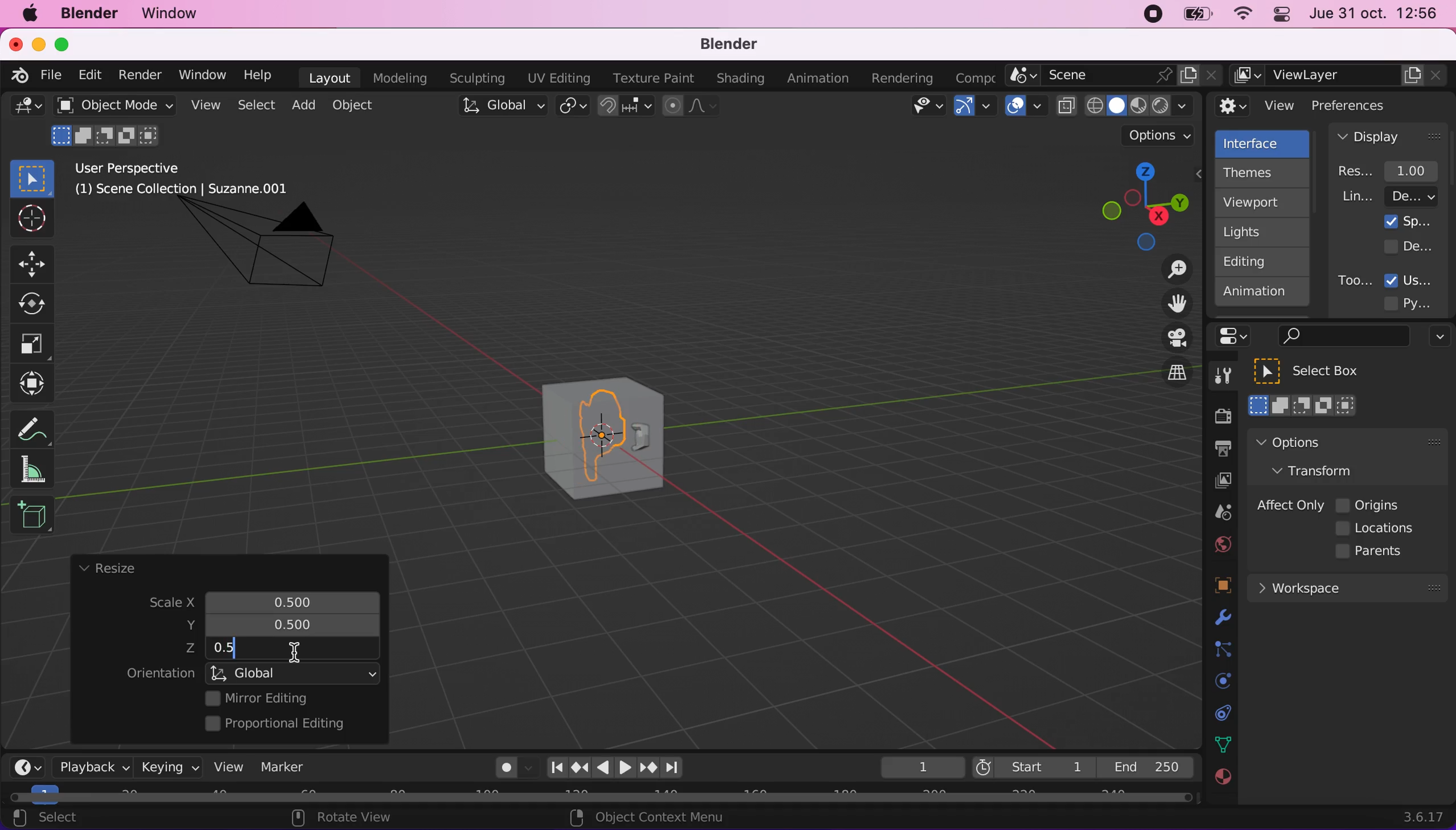 This screenshot has width=1456, height=830. Describe the element at coordinates (168, 767) in the screenshot. I see `keying` at that location.